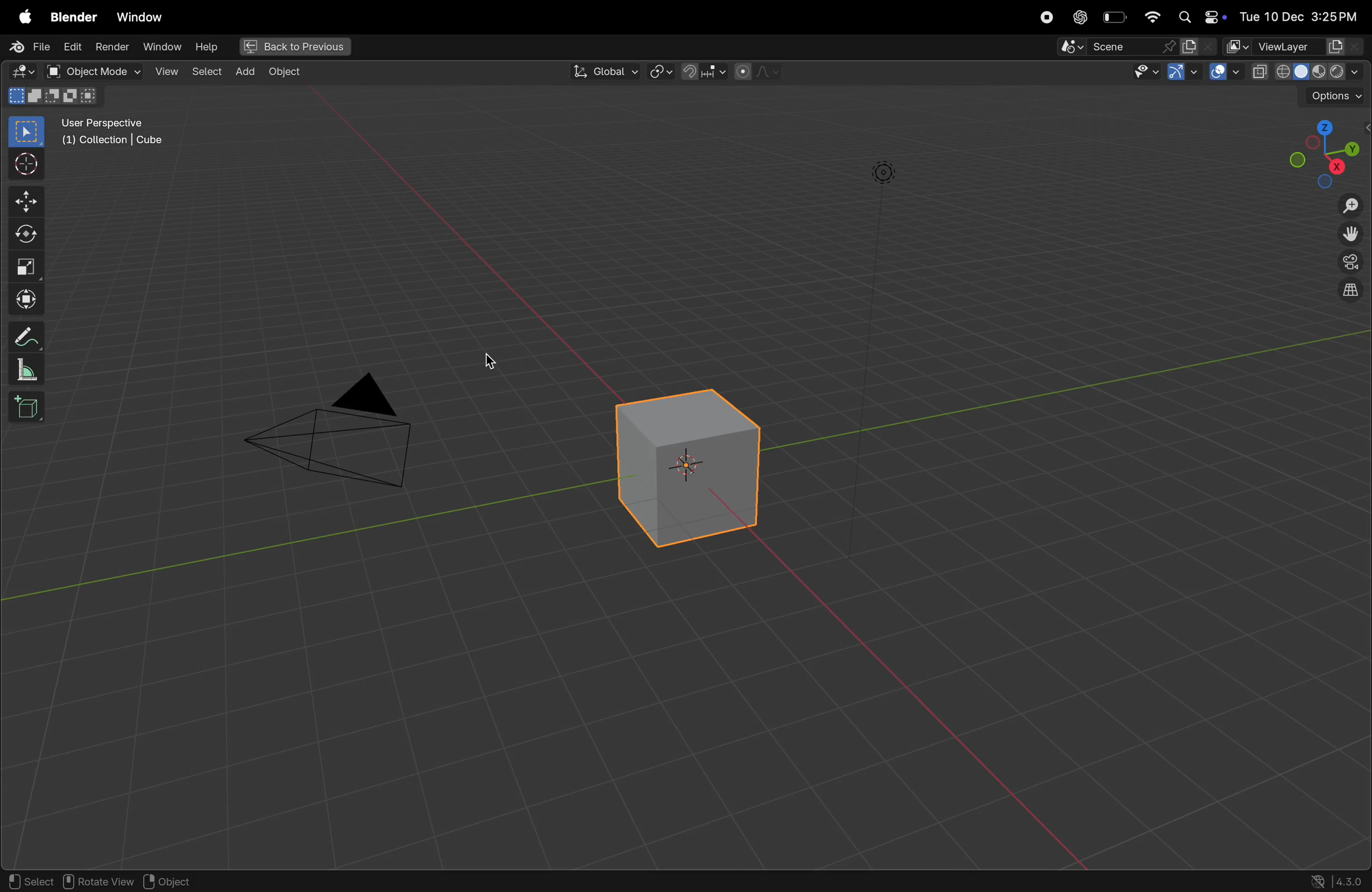 This screenshot has height=892, width=1372. What do you see at coordinates (1352, 880) in the screenshot?
I see `4.3.0` at bounding box center [1352, 880].